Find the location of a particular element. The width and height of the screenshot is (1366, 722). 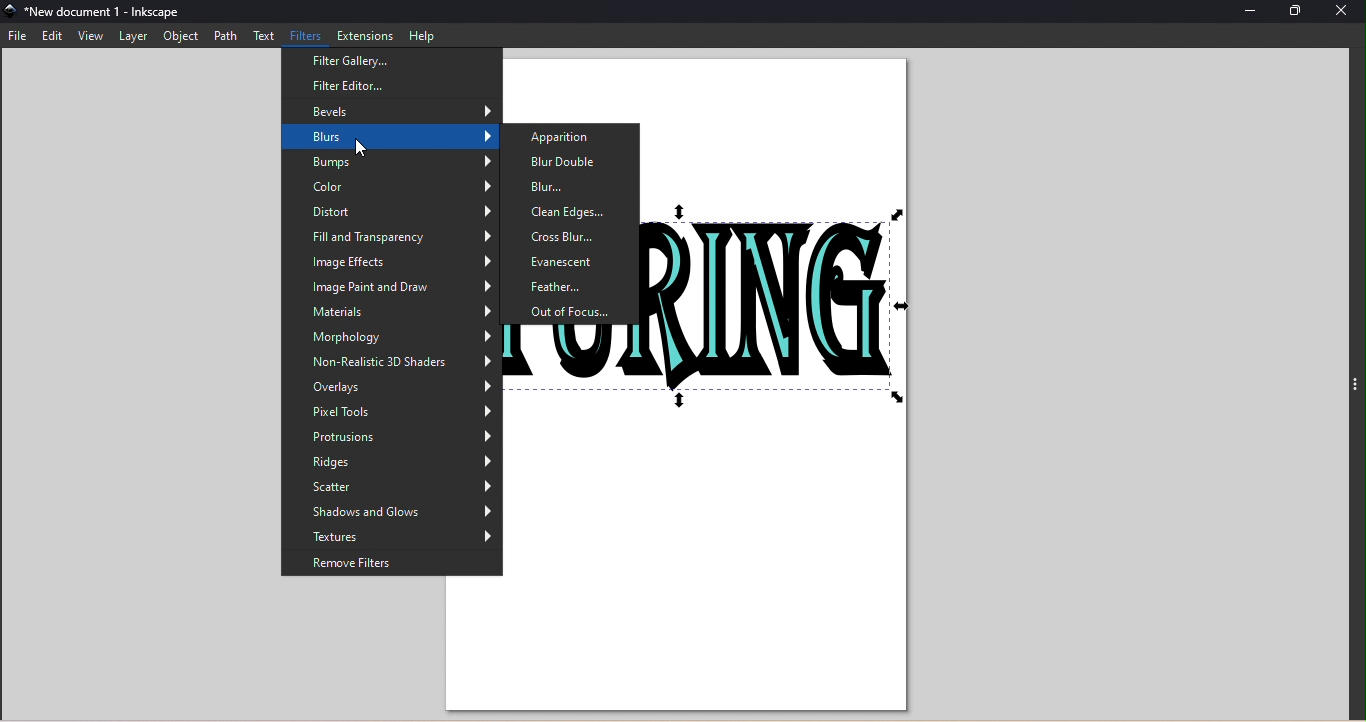

View is located at coordinates (92, 37).